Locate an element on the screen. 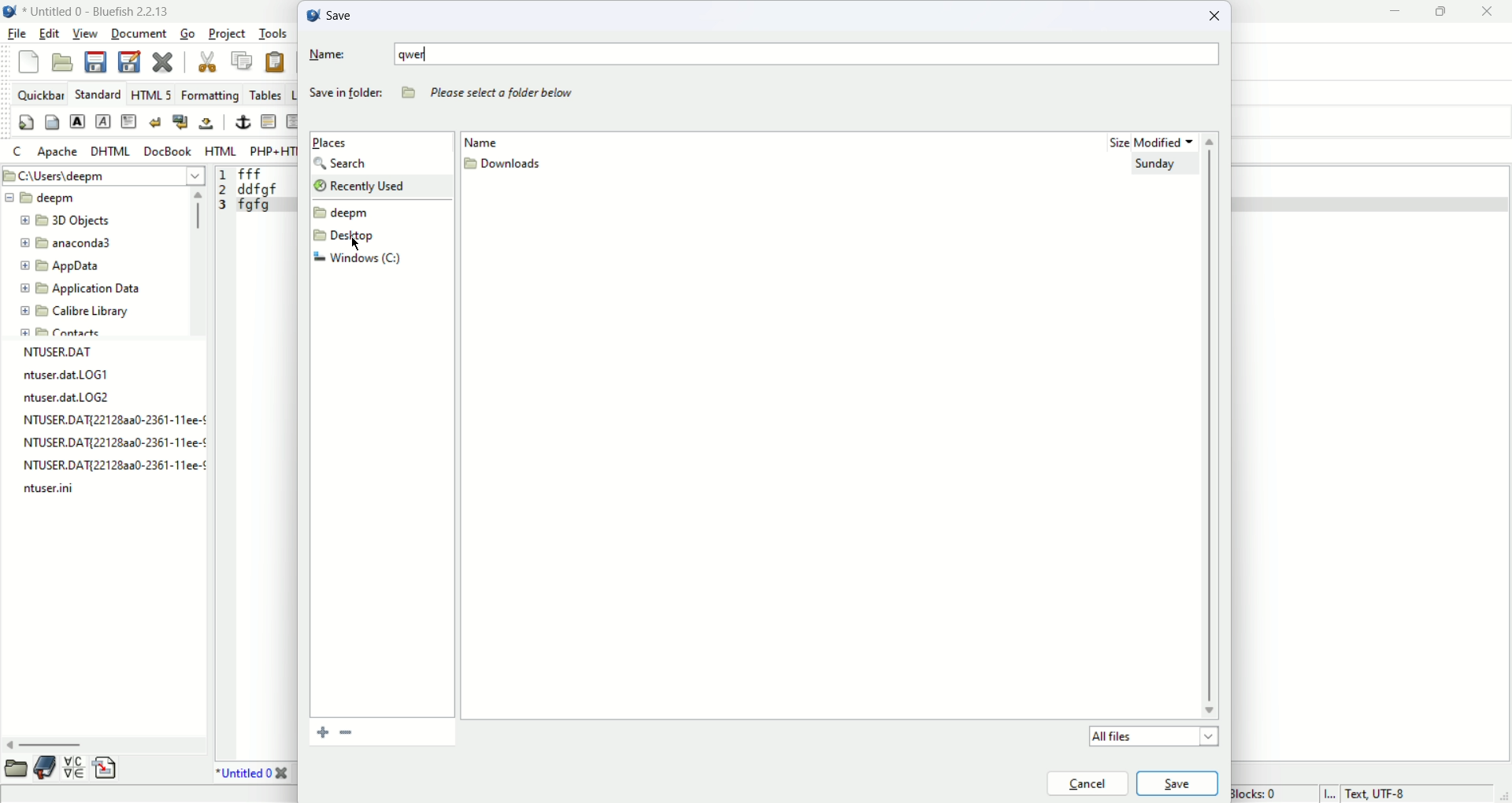 This screenshot has height=803, width=1512. app is located at coordinates (61, 265).